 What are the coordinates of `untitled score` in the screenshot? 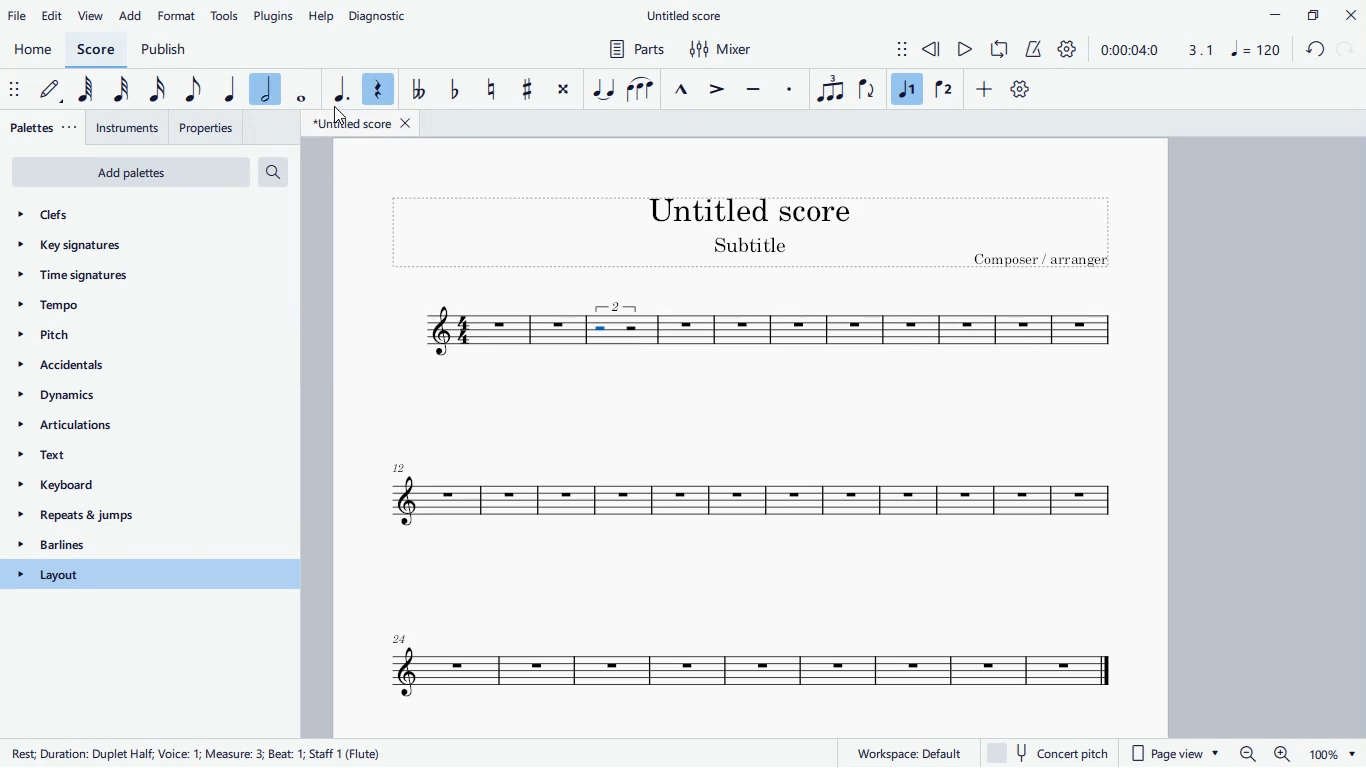 It's located at (687, 16).